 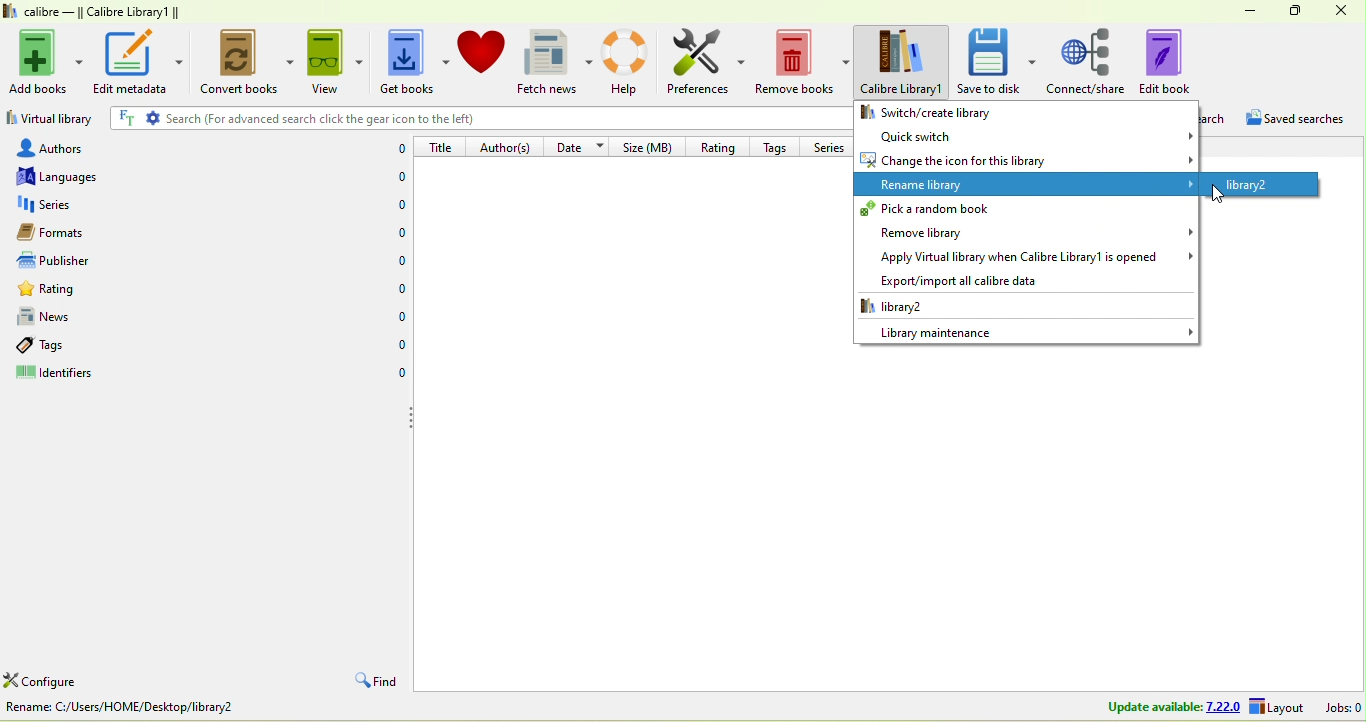 I want to click on get books, so click(x=411, y=63).